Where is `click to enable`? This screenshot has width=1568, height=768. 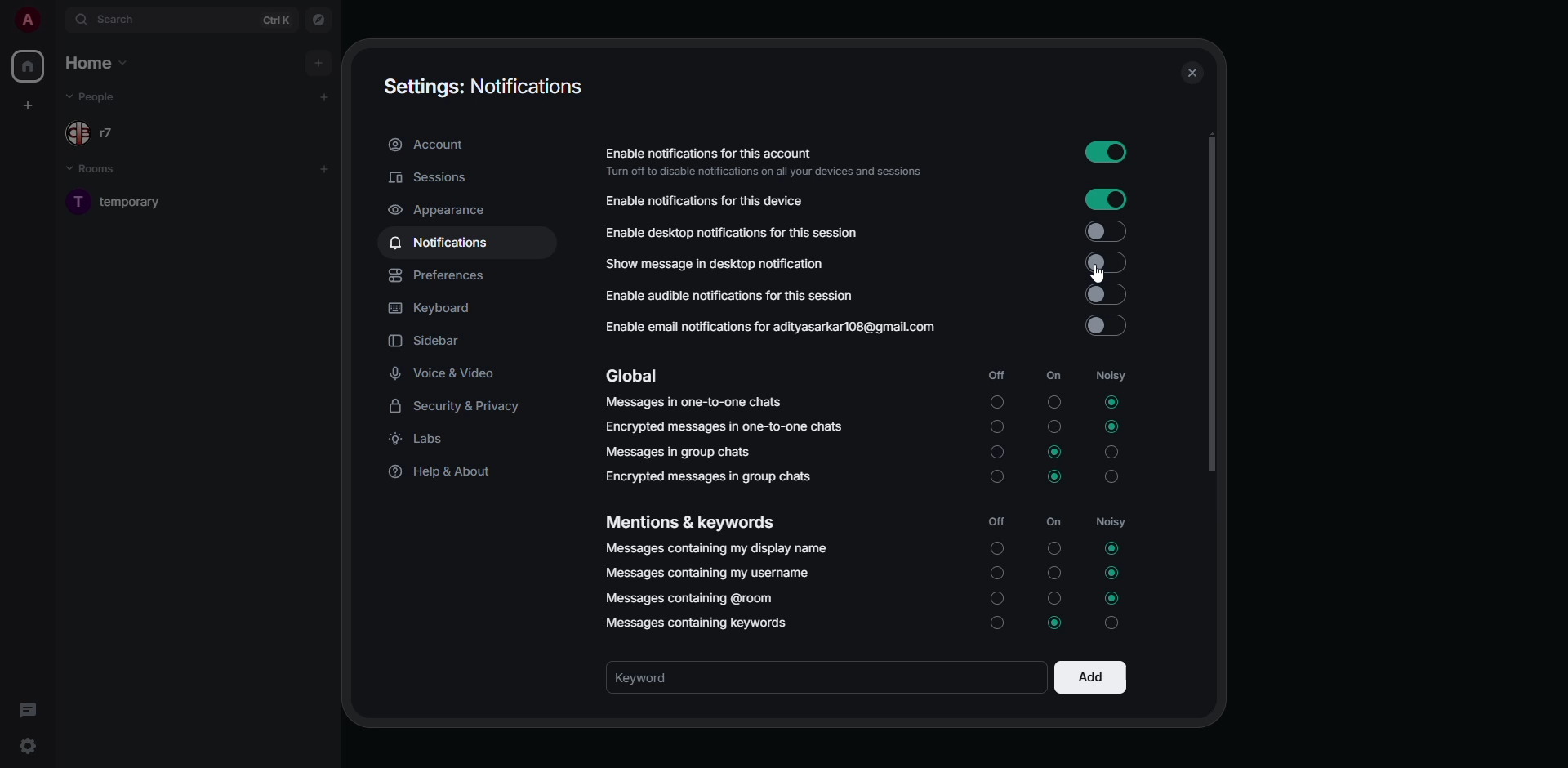 click to enable is located at coordinates (1106, 326).